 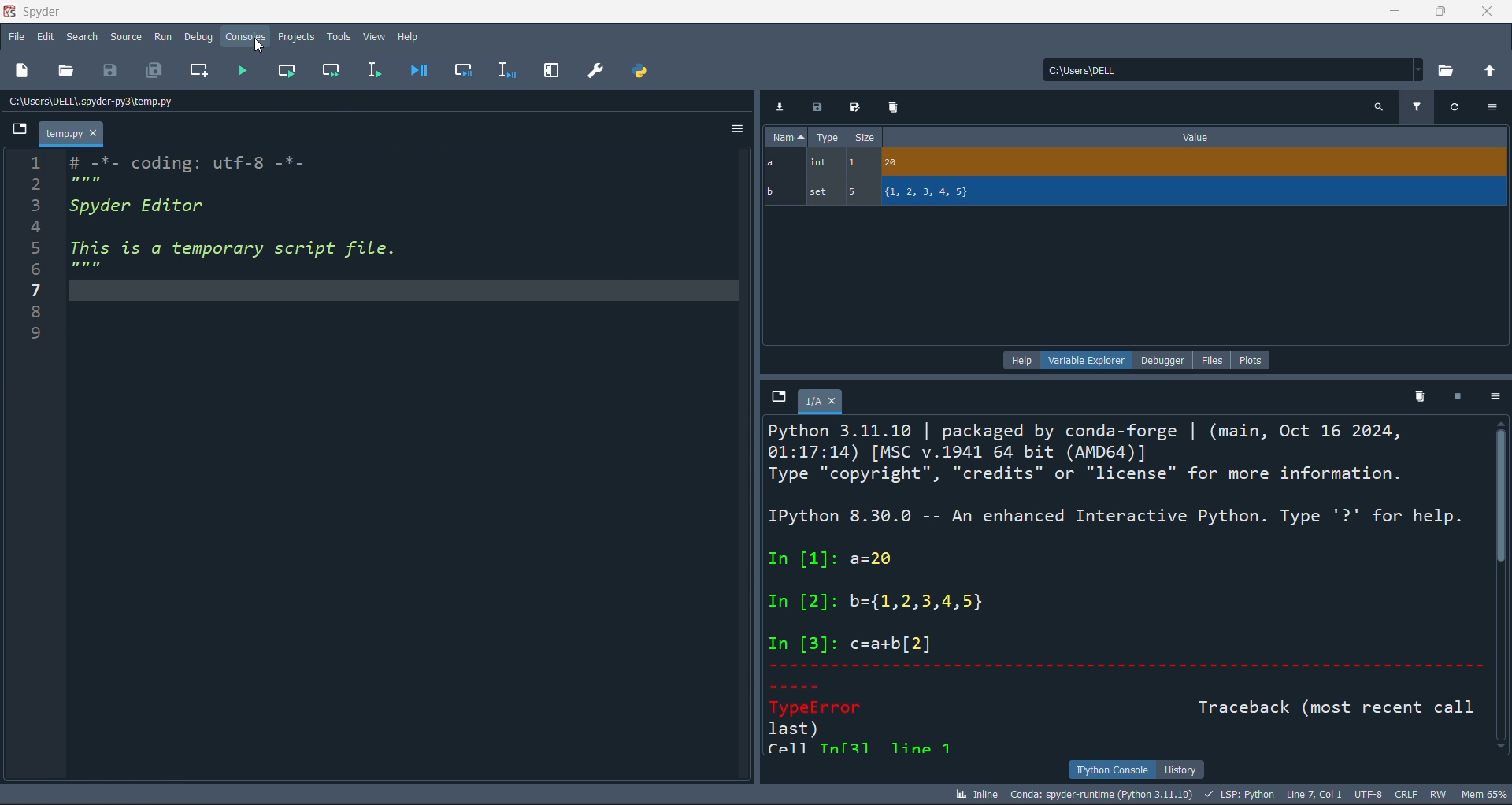 What do you see at coordinates (9, 13) in the screenshot?
I see `spyder logo` at bounding box center [9, 13].